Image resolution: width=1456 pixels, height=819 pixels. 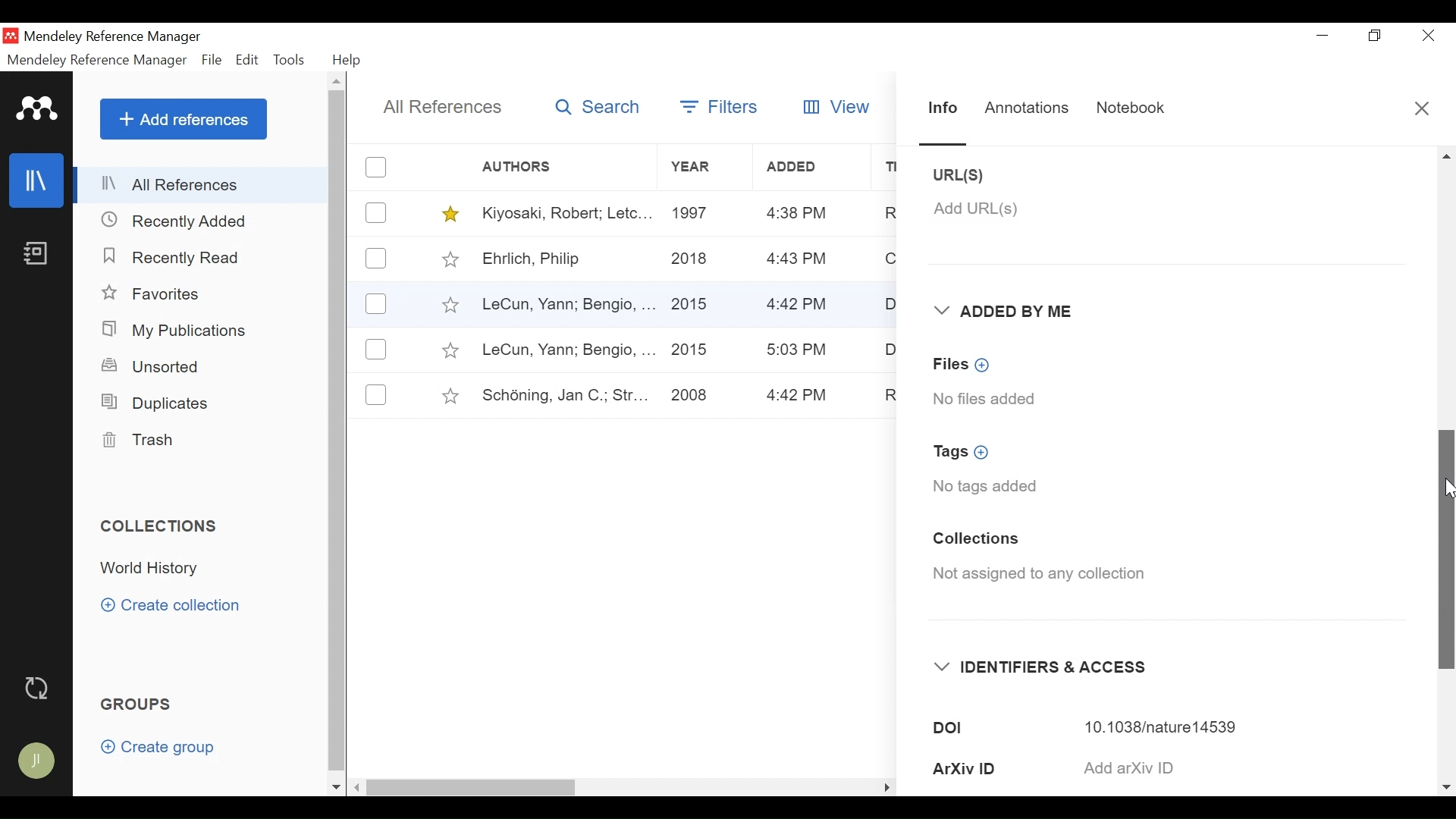 I want to click on Scroll Right, so click(x=1446, y=787).